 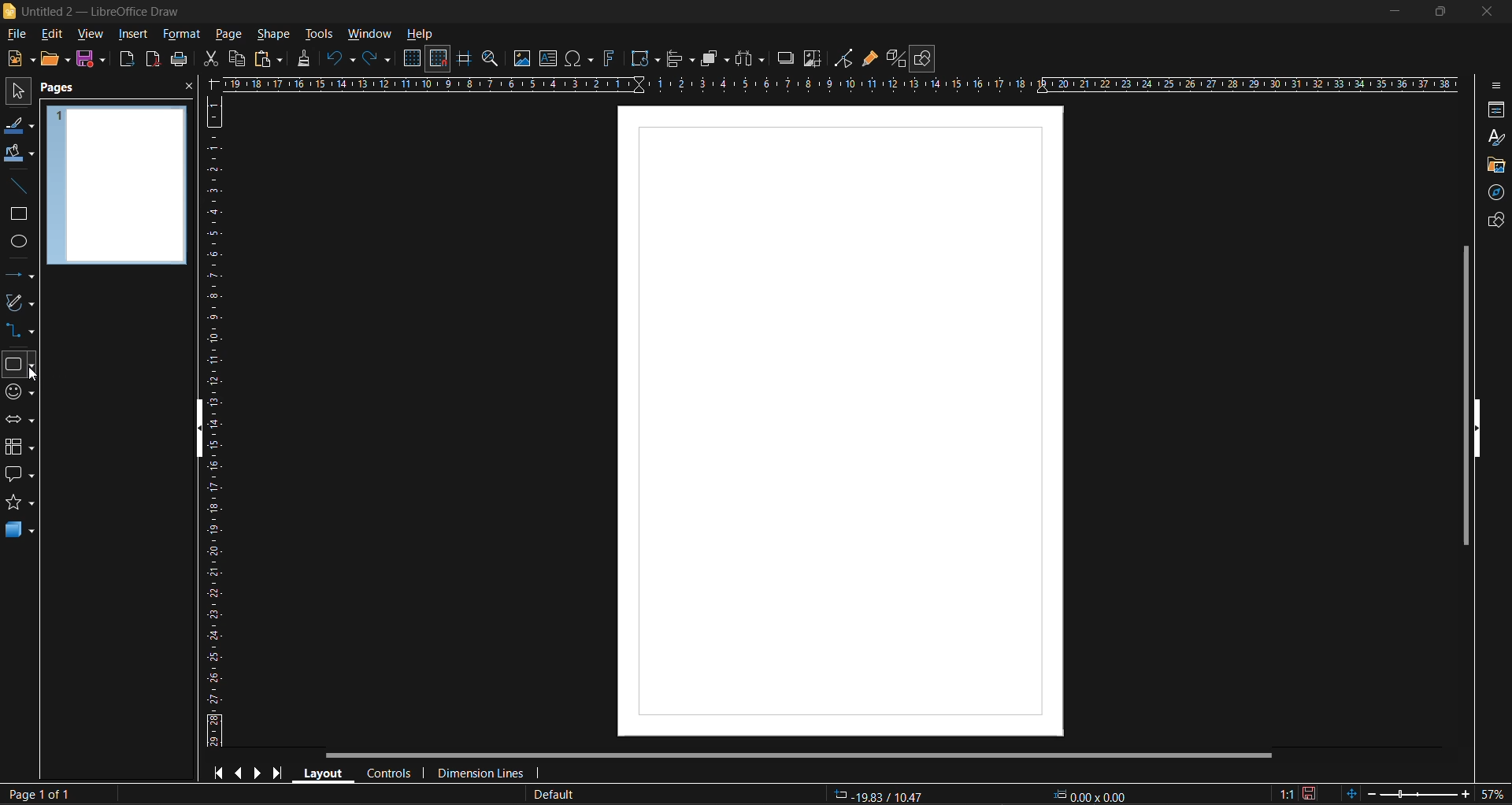 I want to click on click to save, so click(x=1311, y=794).